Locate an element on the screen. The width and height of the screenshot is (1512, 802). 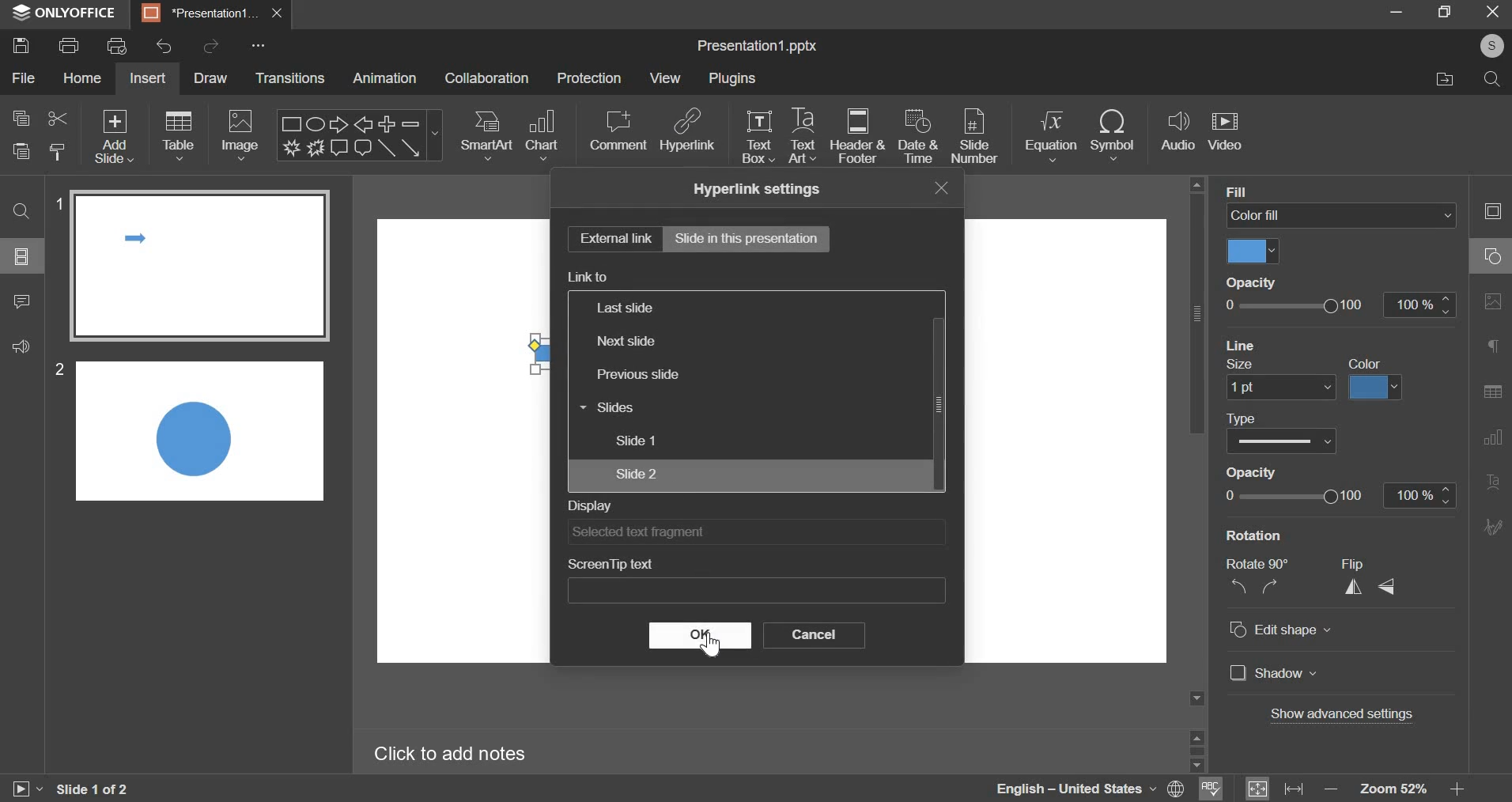
Line is located at coordinates (386, 148).